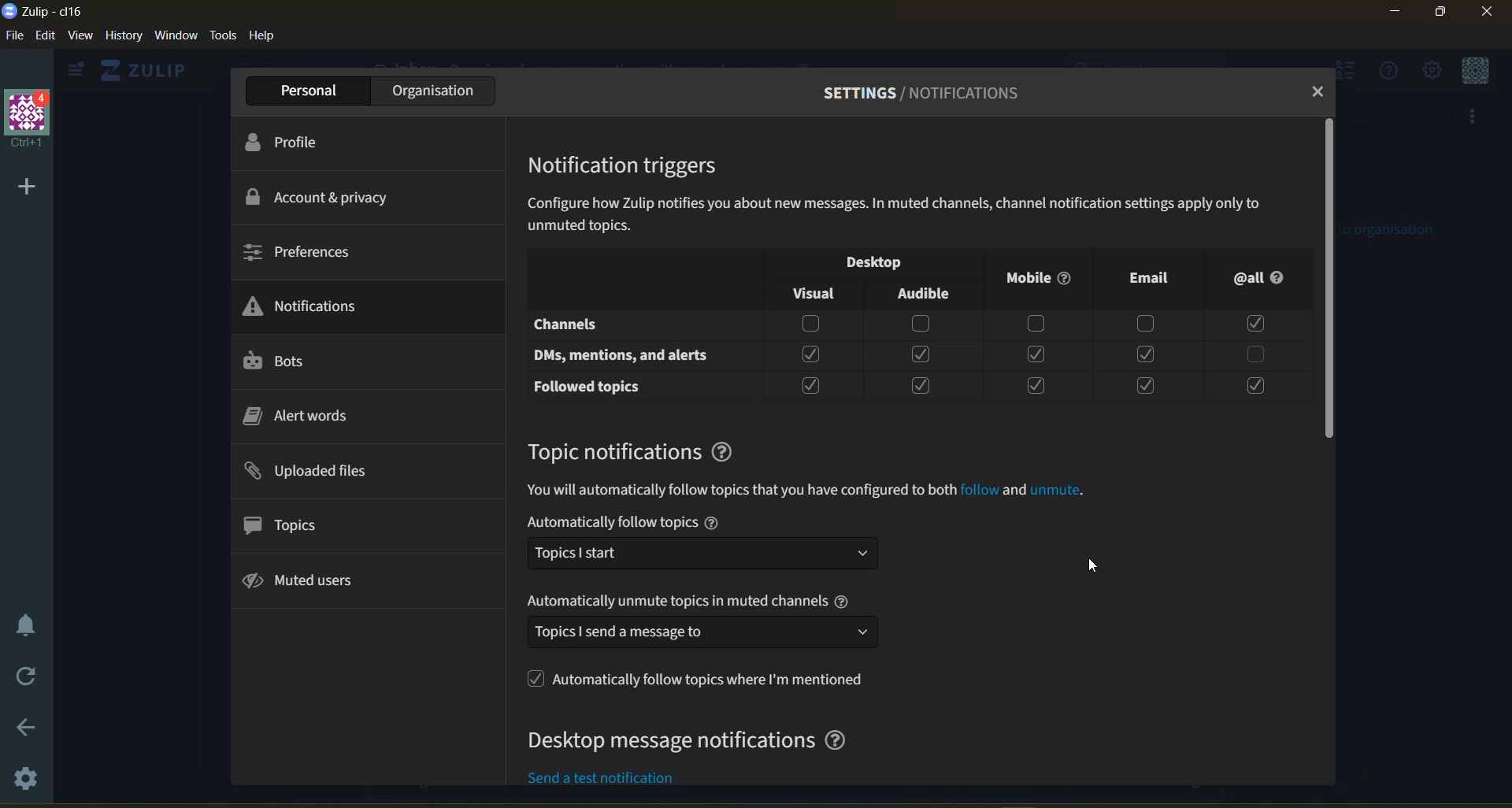 The width and height of the screenshot is (1512, 808). Describe the element at coordinates (817, 491) in the screenshot. I see `information` at that location.